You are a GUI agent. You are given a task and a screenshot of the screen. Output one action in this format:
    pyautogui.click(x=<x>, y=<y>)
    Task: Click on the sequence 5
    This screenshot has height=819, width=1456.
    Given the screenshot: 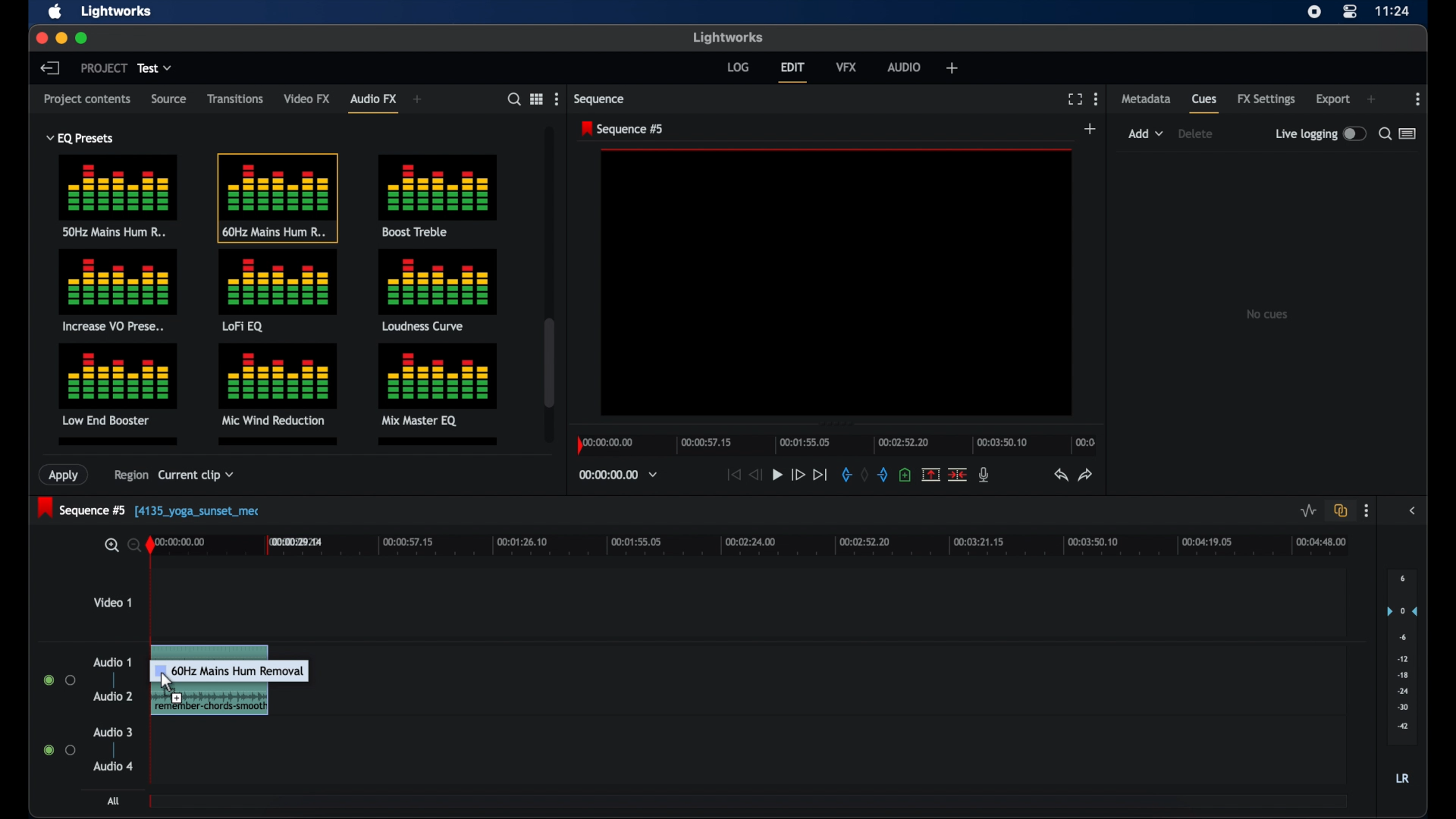 What is the action you would take?
    pyautogui.click(x=150, y=509)
    